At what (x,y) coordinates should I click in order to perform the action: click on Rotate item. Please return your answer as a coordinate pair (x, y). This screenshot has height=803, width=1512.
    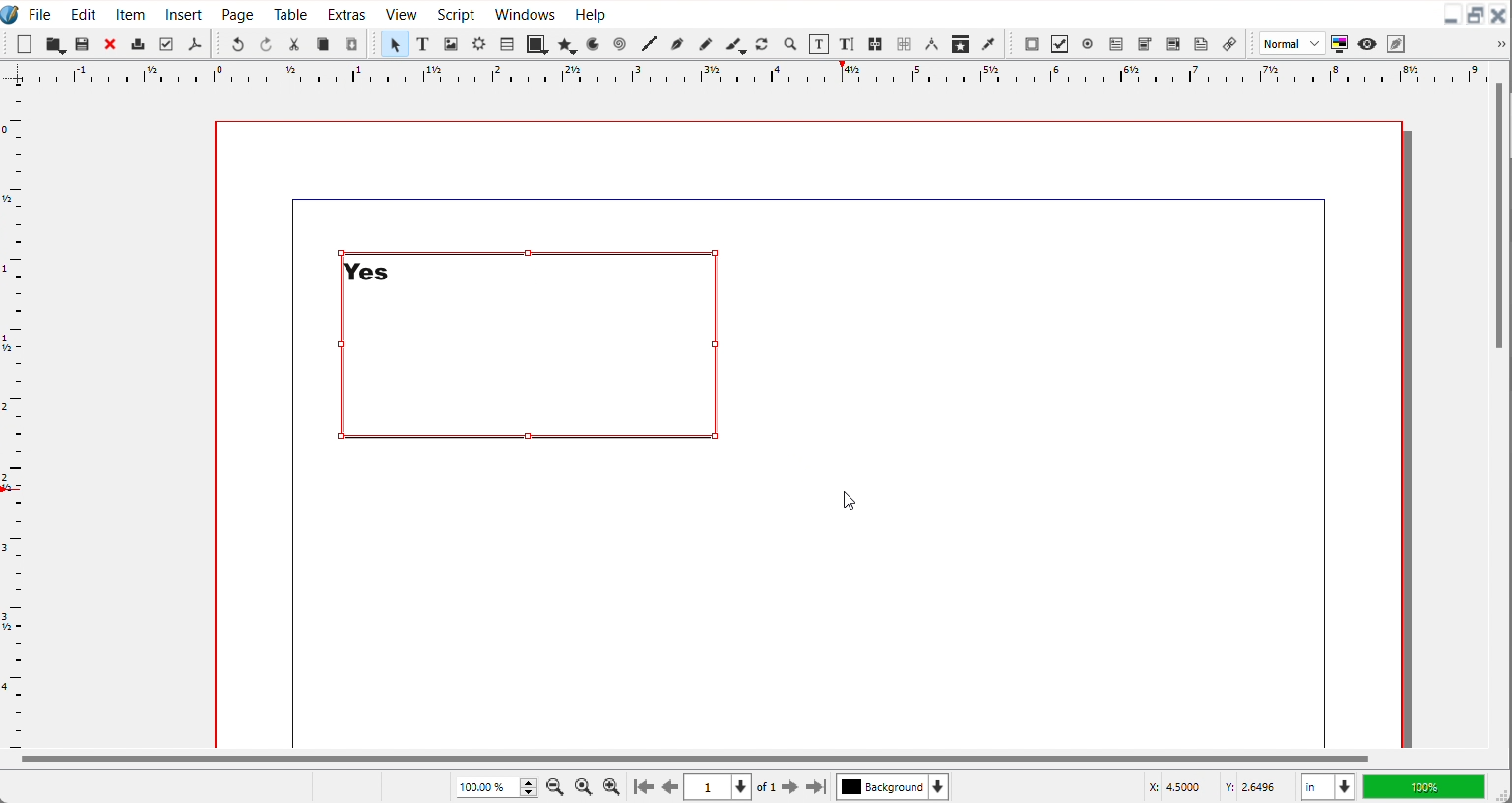
    Looking at the image, I should click on (762, 44).